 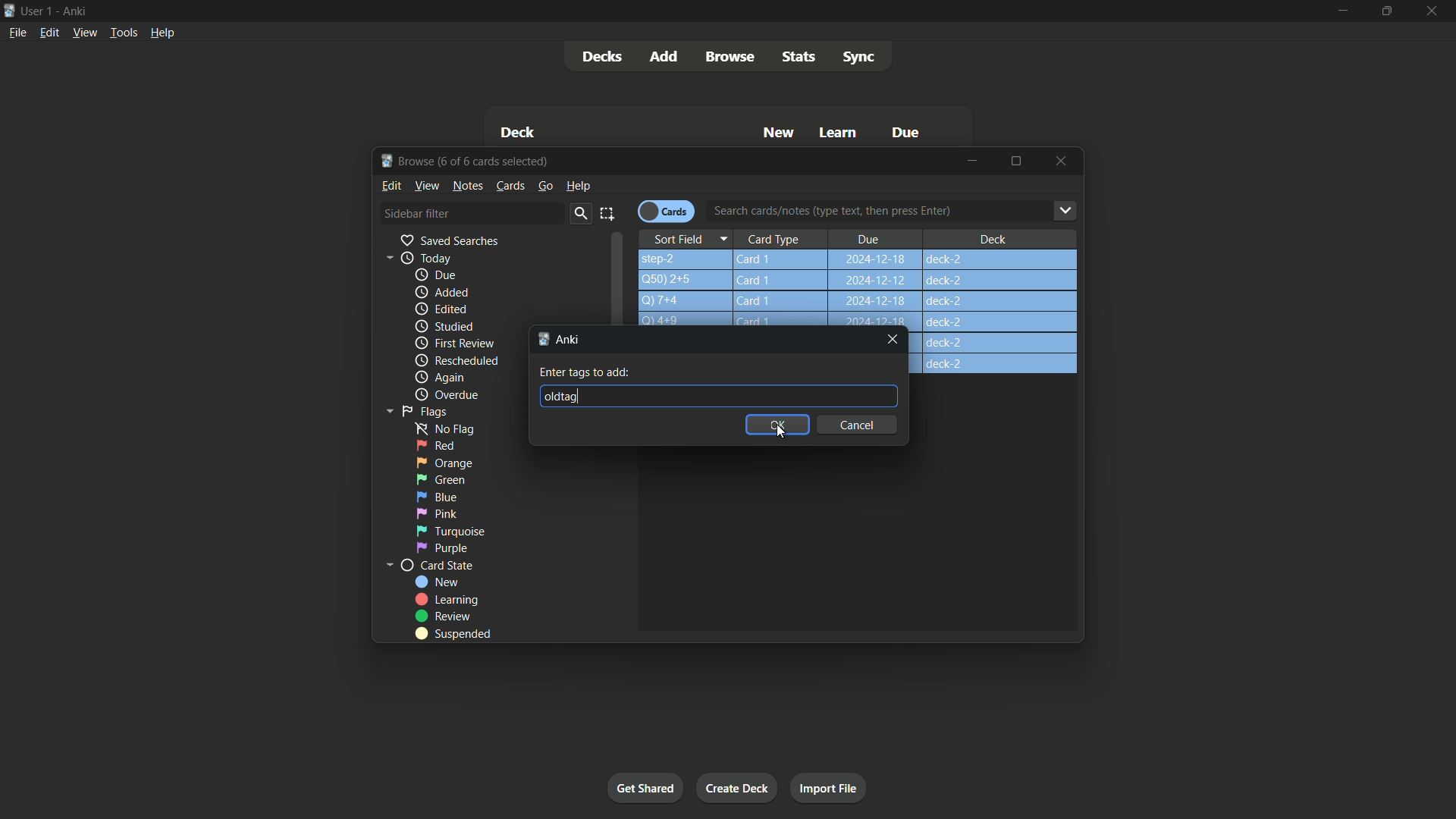 What do you see at coordinates (435, 446) in the screenshot?
I see `red` at bounding box center [435, 446].